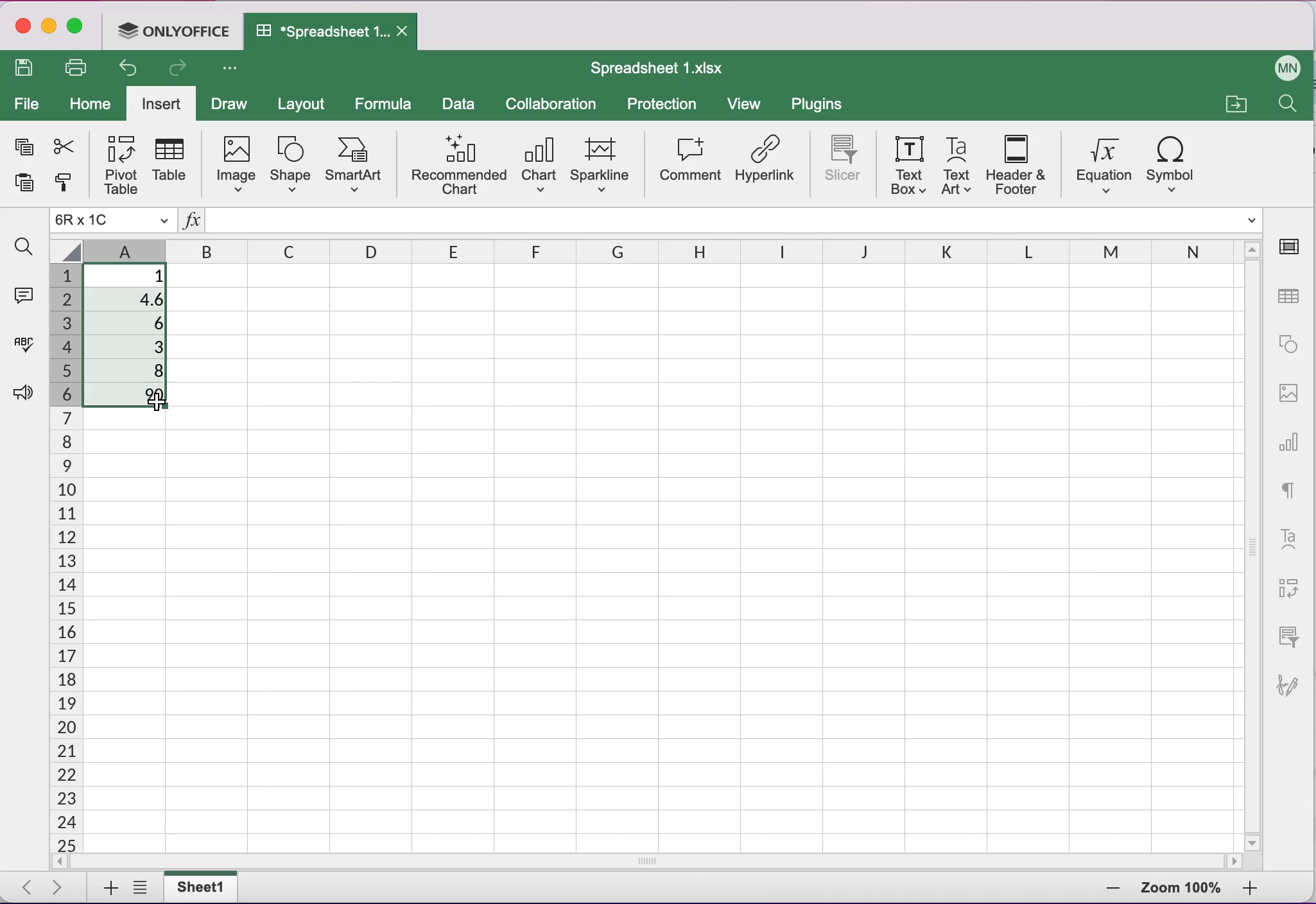 This screenshot has height=904, width=1316. What do you see at coordinates (134, 346) in the screenshot?
I see `3` at bounding box center [134, 346].